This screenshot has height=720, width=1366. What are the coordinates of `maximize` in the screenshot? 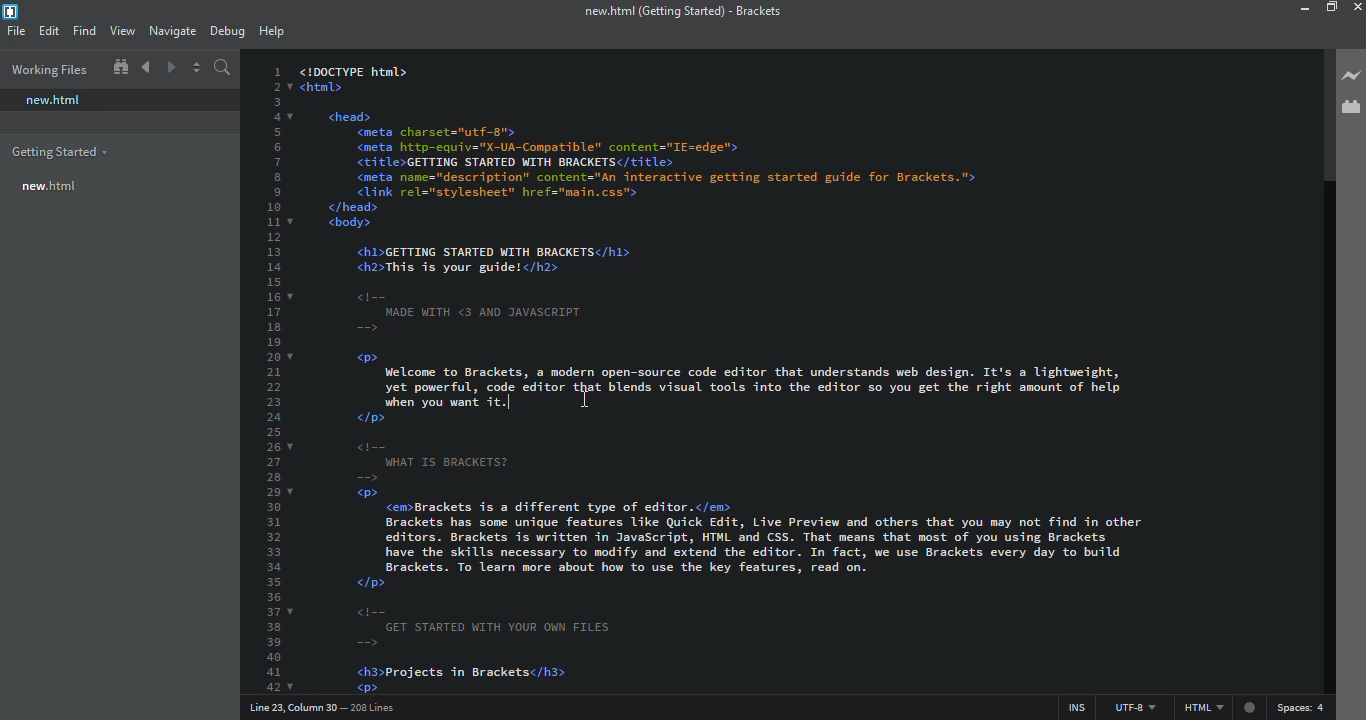 It's located at (1331, 7).